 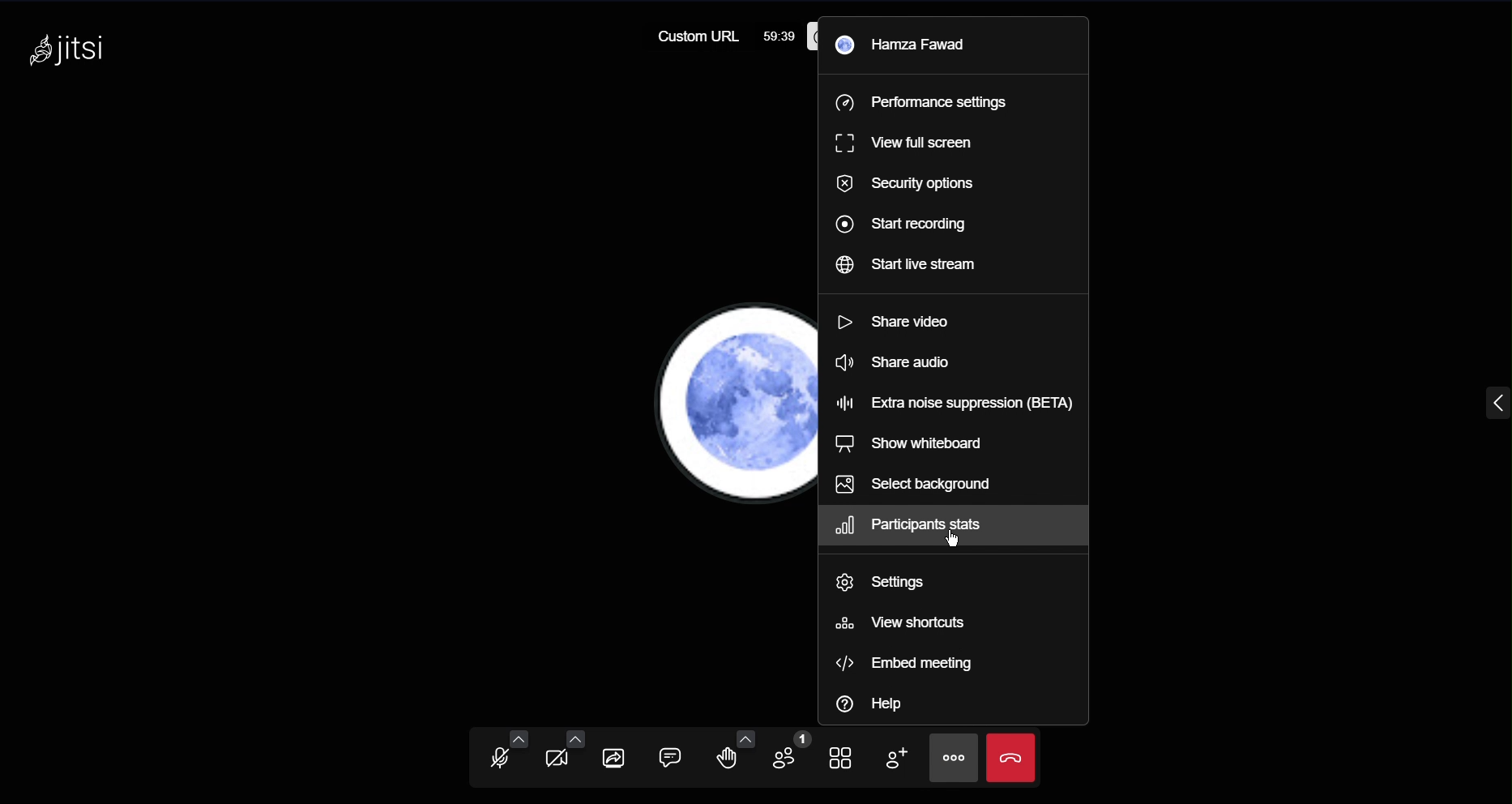 What do you see at coordinates (845, 755) in the screenshot?
I see `Tile View` at bounding box center [845, 755].